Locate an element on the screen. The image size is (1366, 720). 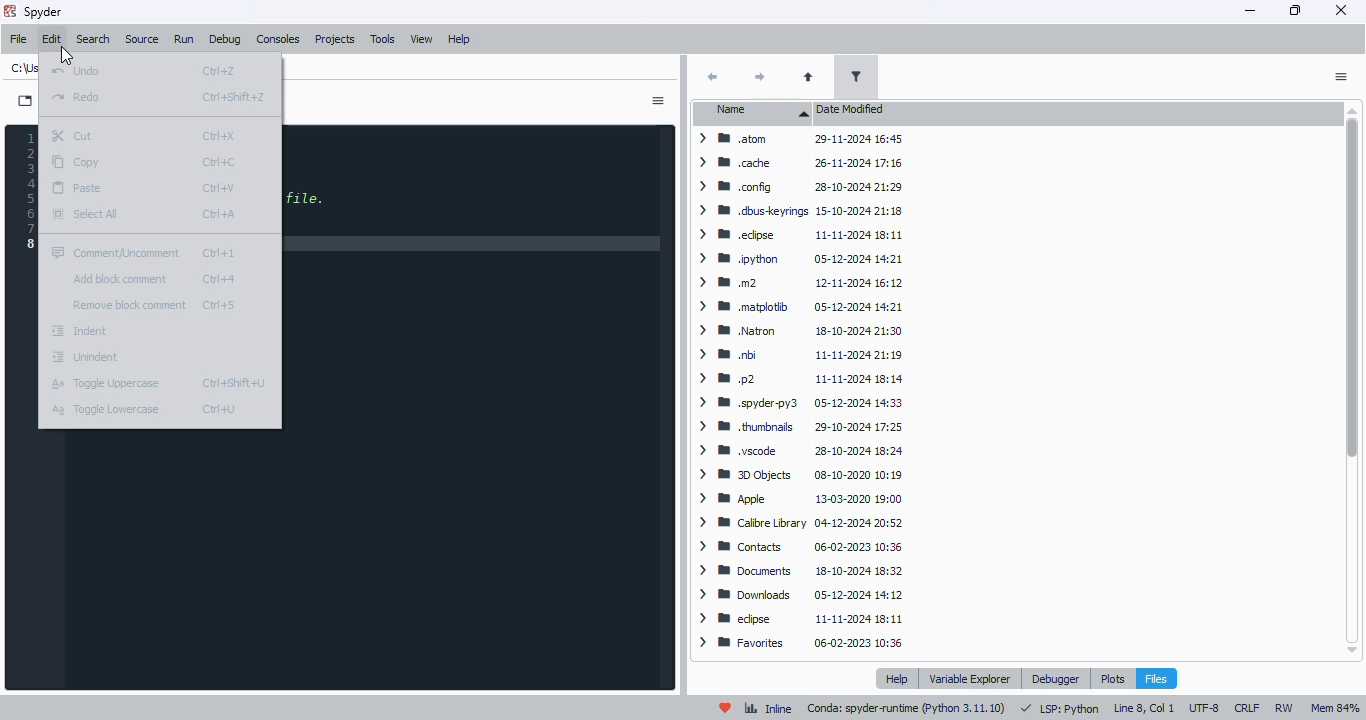
conda: spyder-runtime (python 3. 11. 10) is located at coordinates (906, 708).